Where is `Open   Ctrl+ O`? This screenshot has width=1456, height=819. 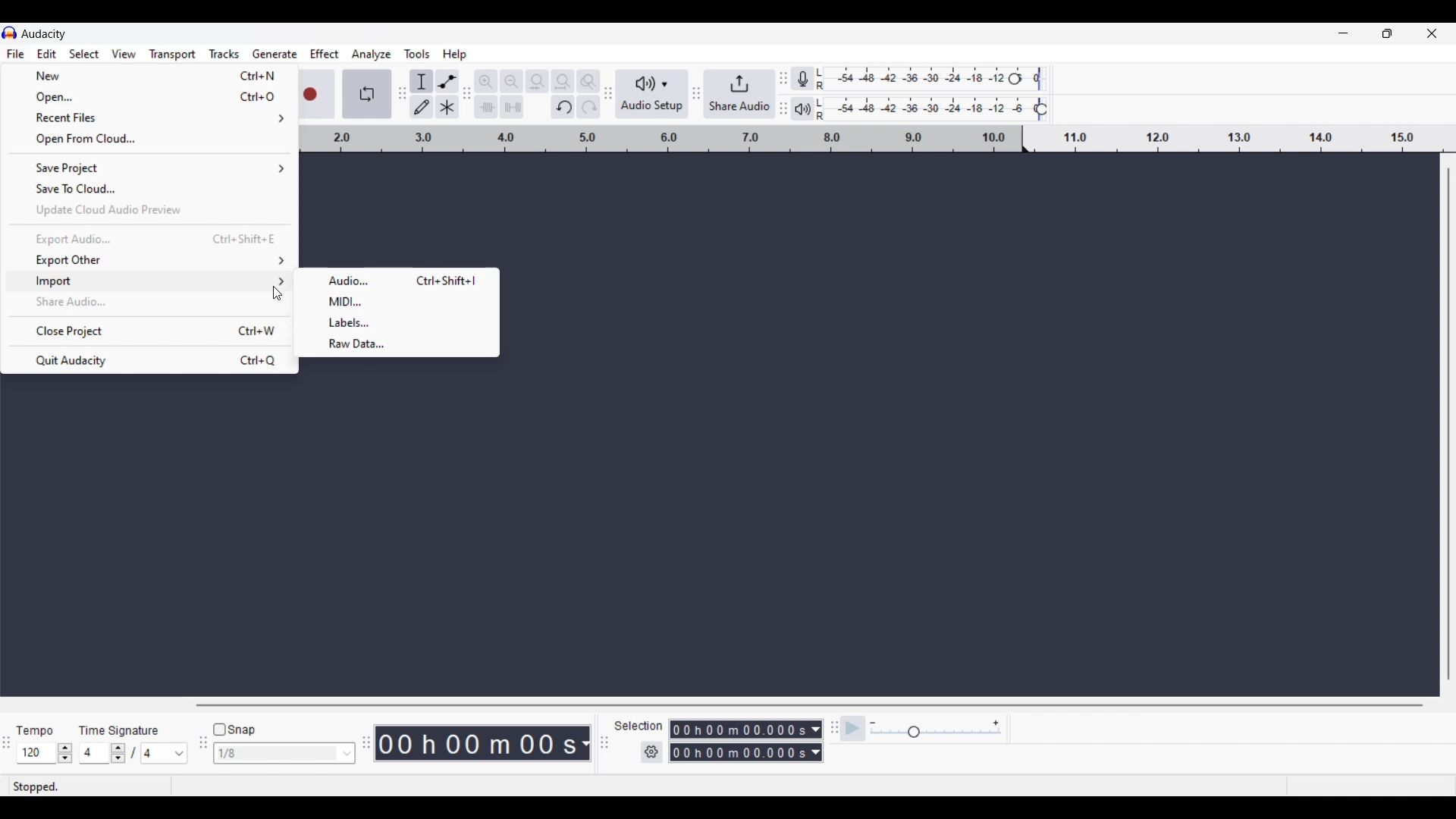 Open   Ctrl+ O is located at coordinates (149, 97).